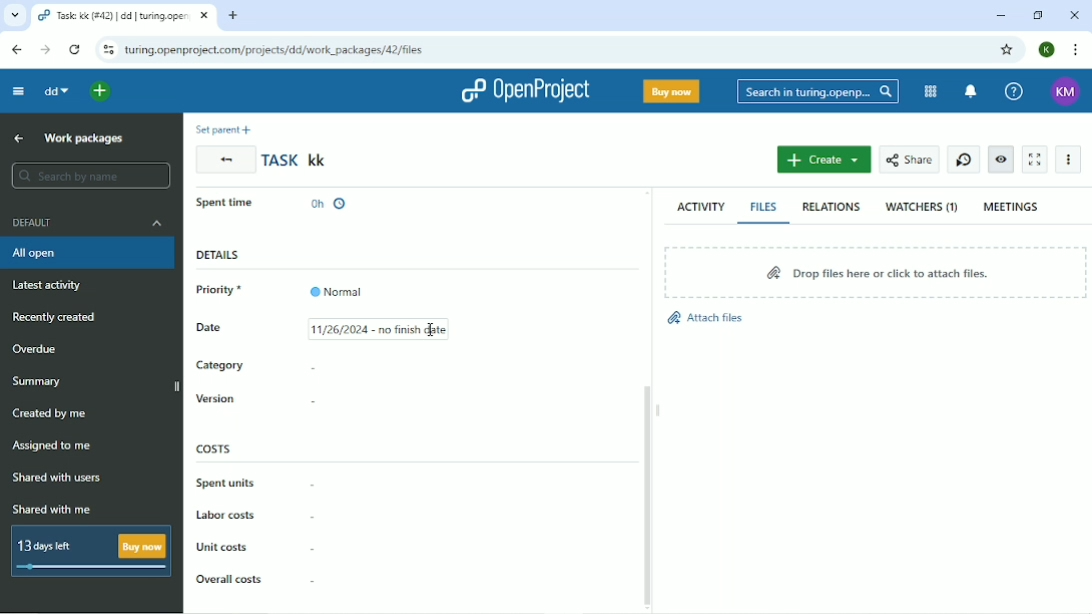 The width and height of the screenshot is (1092, 614). What do you see at coordinates (231, 17) in the screenshot?
I see `New tab` at bounding box center [231, 17].